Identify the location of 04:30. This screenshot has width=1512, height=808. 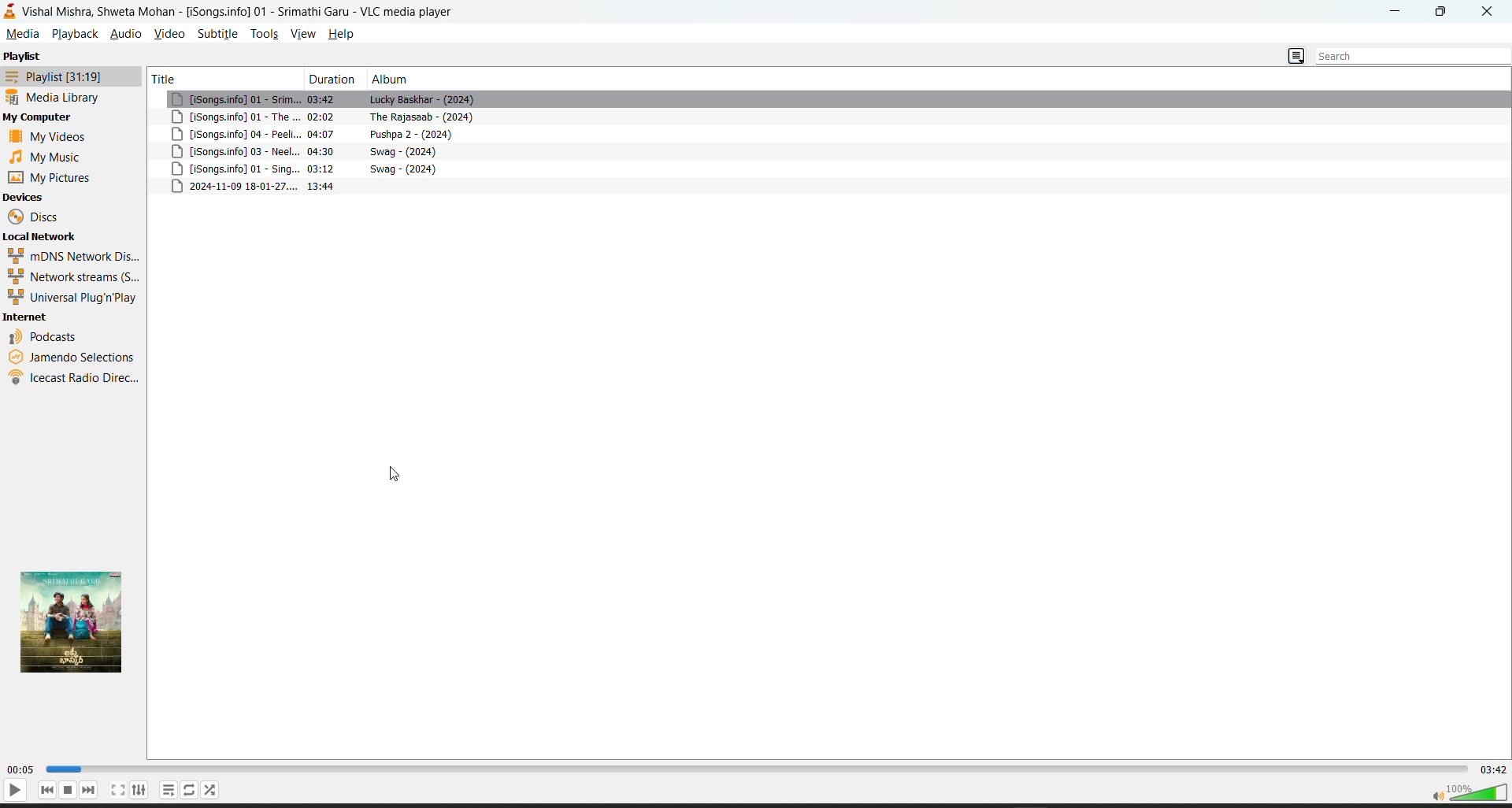
(323, 152).